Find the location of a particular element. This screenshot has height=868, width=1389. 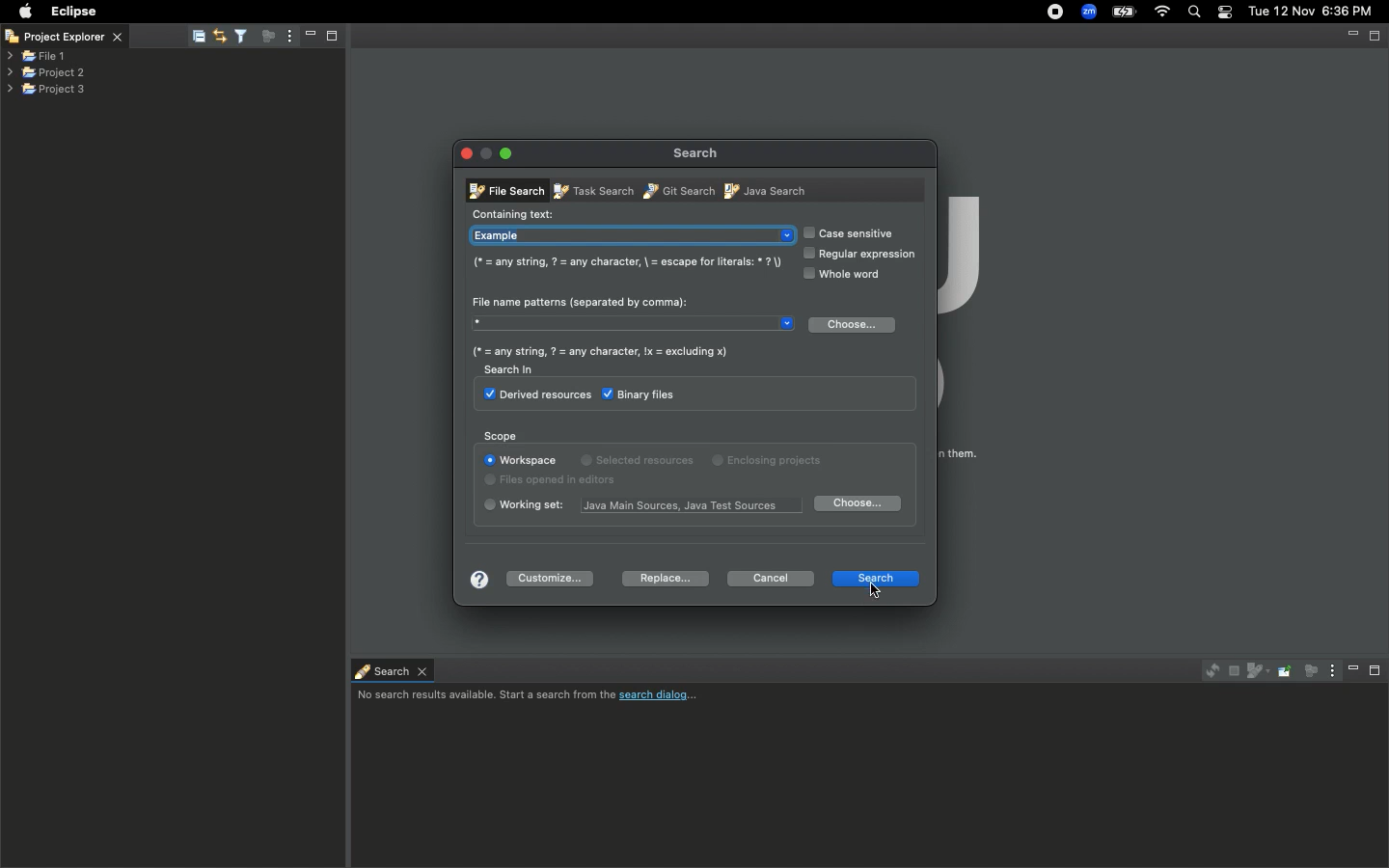

Pin the search view is located at coordinates (1283, 670).